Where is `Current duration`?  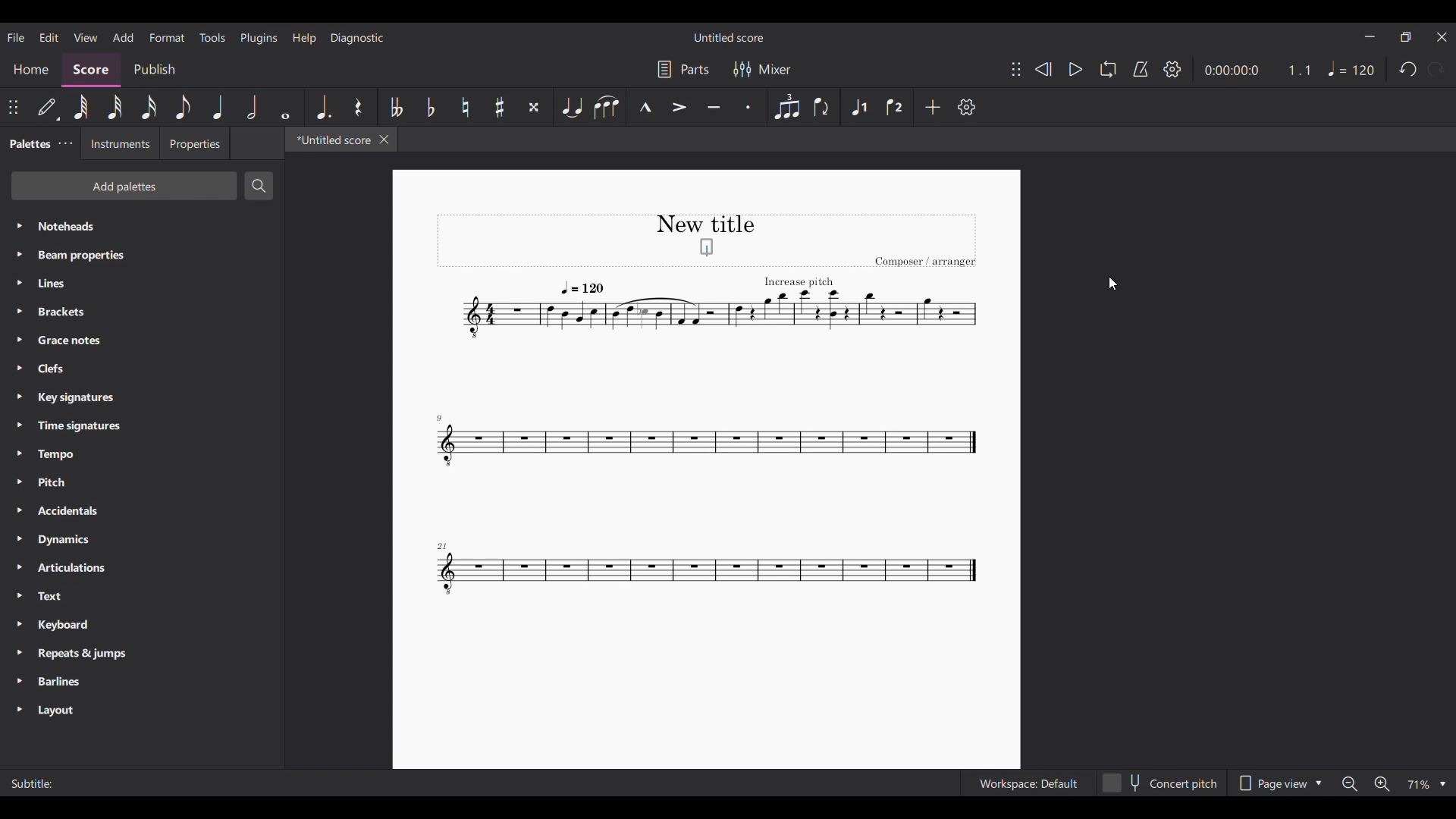 Current duration is located at coordinates (1230, 70).